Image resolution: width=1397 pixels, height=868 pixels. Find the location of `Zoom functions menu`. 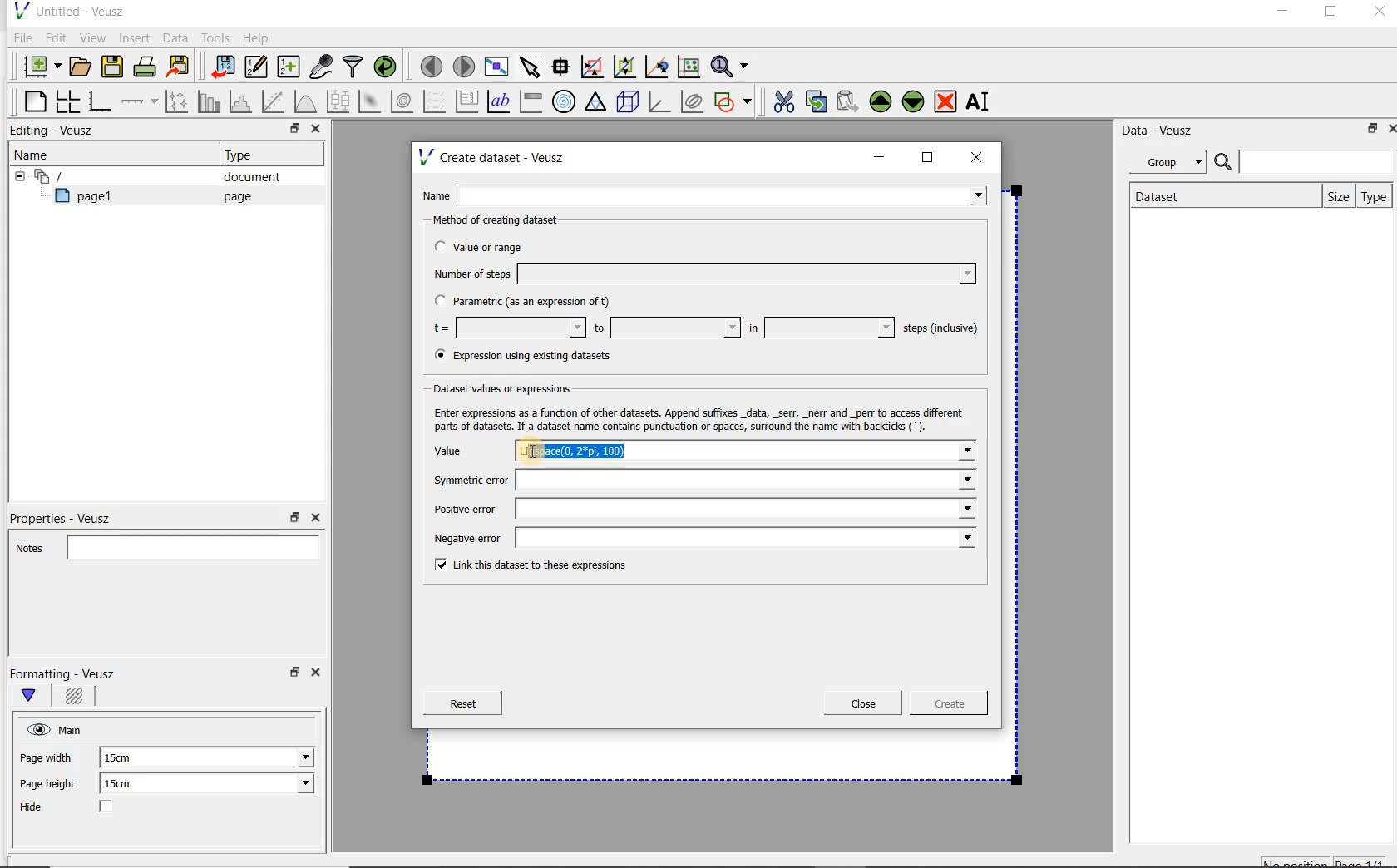

Zoom functions menu is located at coordinates (731, 62).